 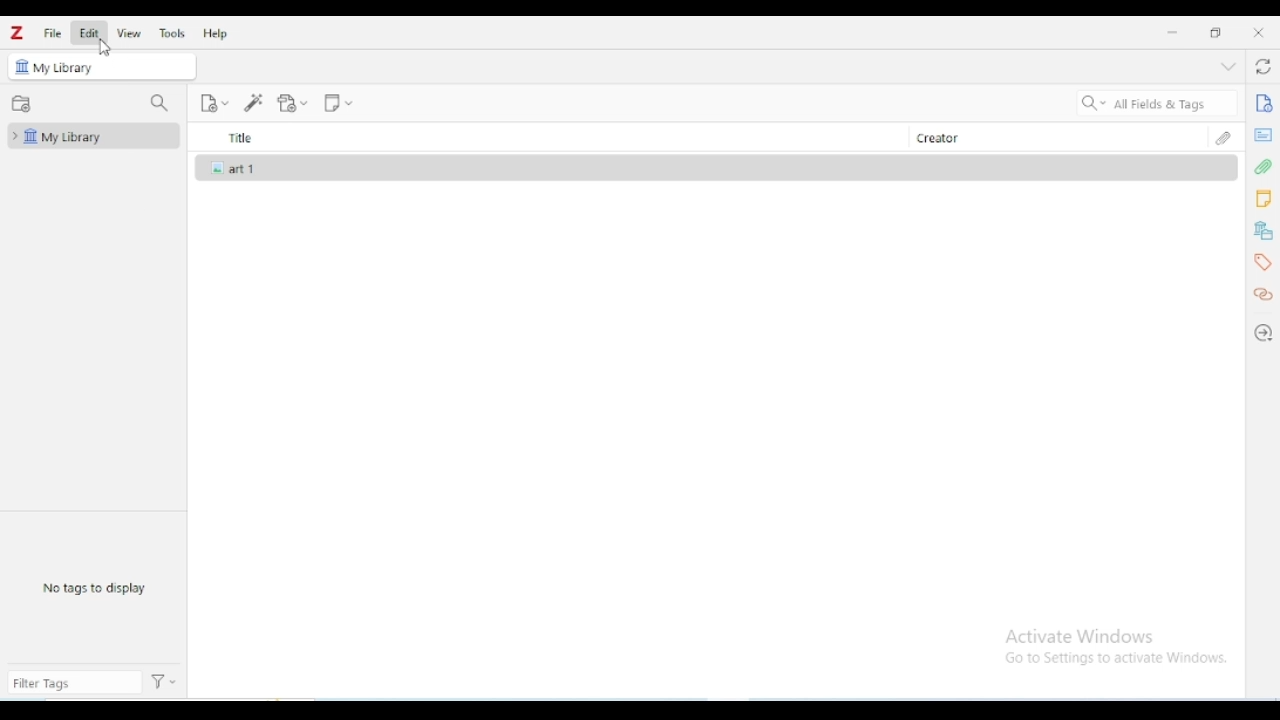 I want to click on filter collections, so click(x=158, y=103).